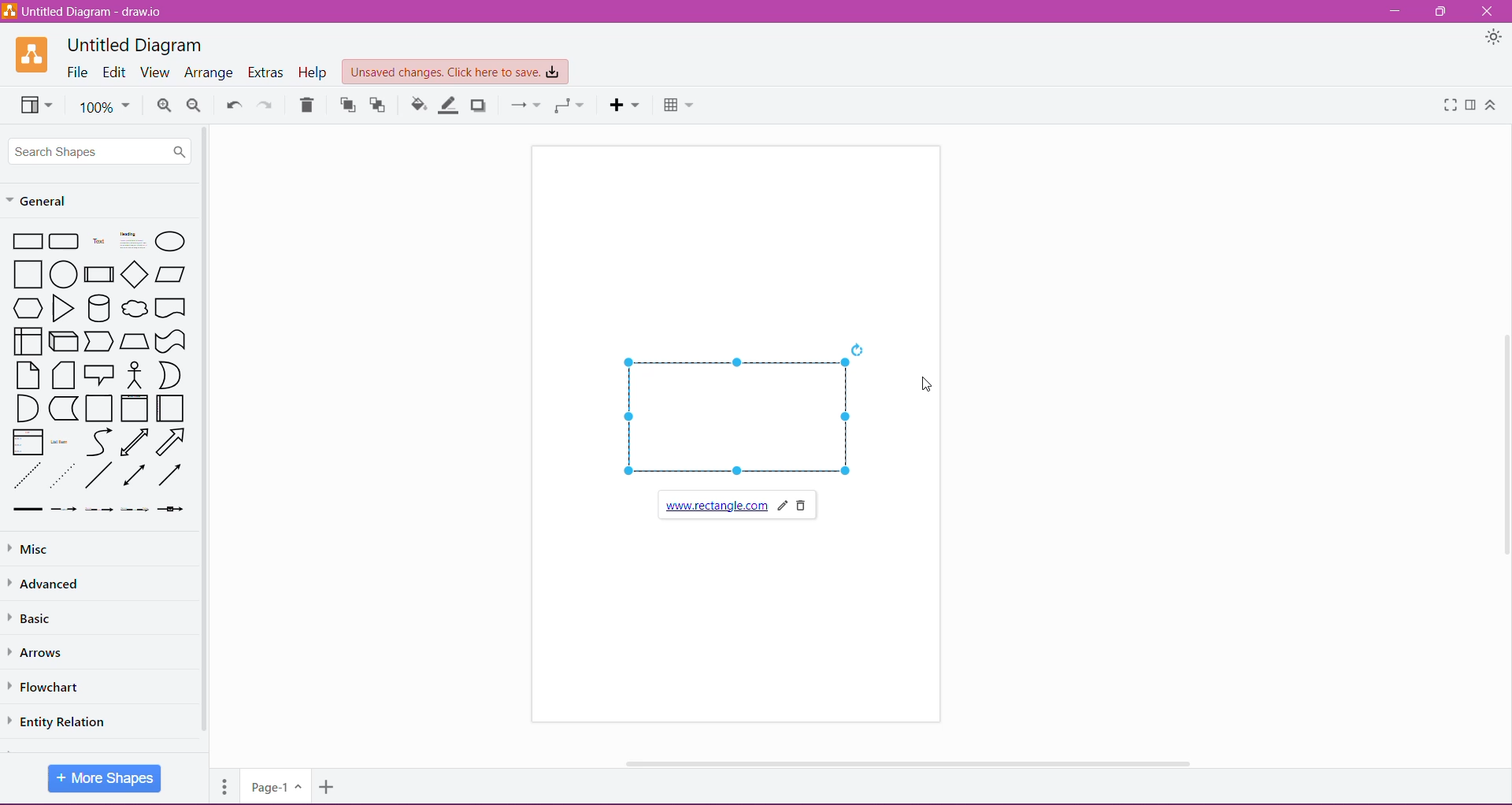  Describe the element at coordinates (1442, 10) in the screenshot. I see `Restore Down` at that location.